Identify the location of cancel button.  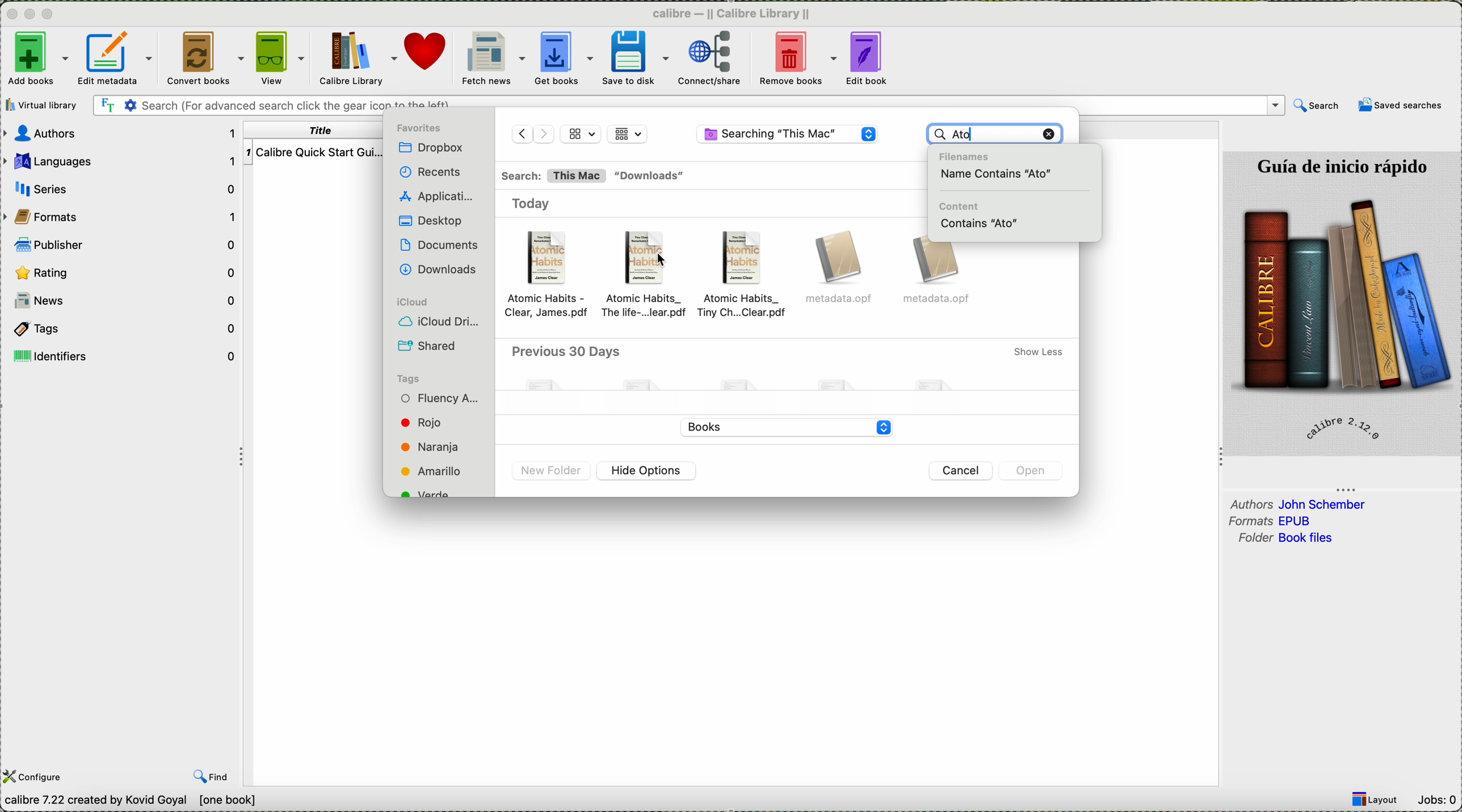
(963, 471).